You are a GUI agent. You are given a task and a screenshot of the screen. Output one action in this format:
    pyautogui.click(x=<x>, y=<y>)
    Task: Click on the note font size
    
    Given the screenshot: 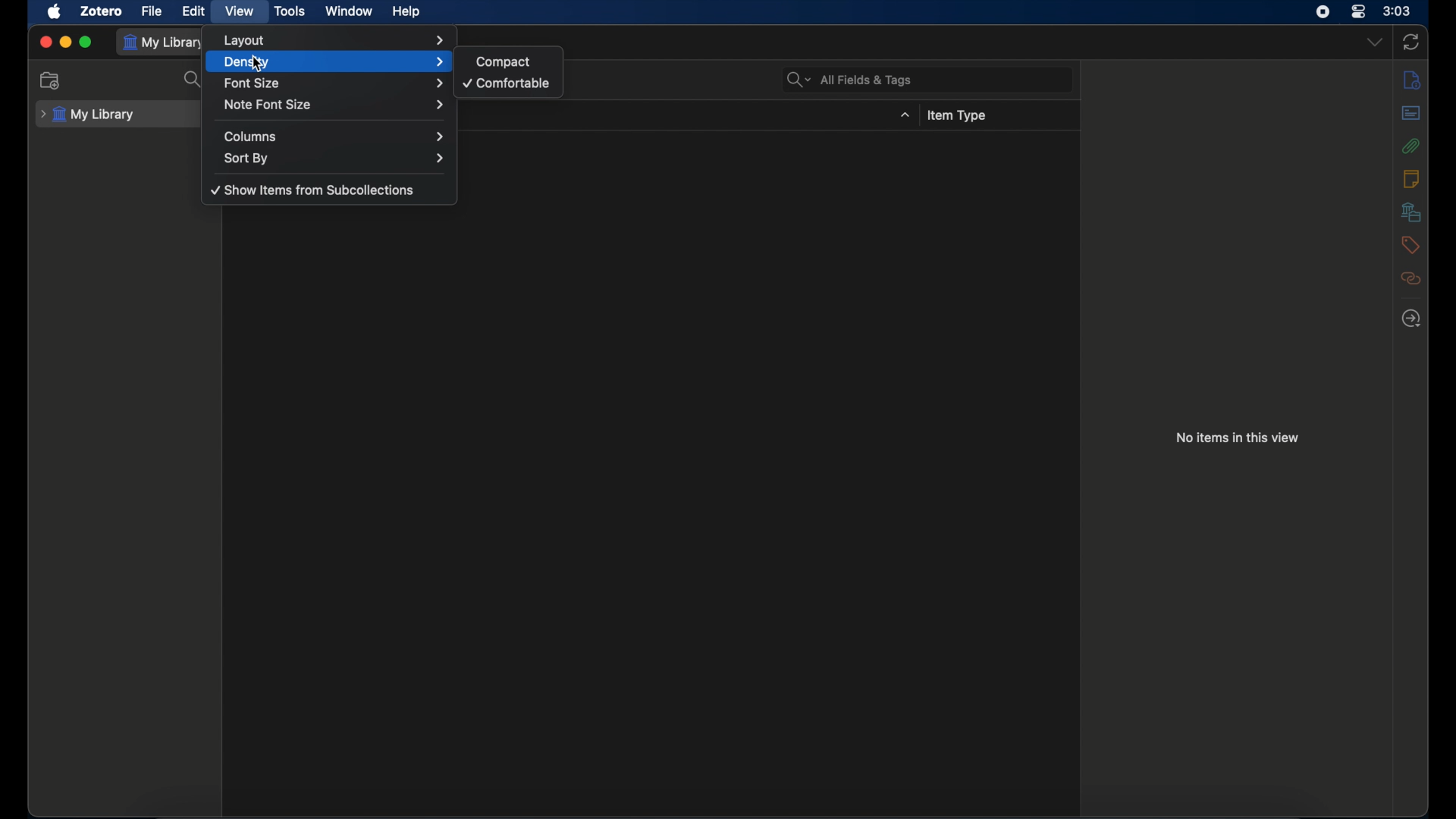 What is the action you would take?
    pyautogui.click(x=335, y=104)
    